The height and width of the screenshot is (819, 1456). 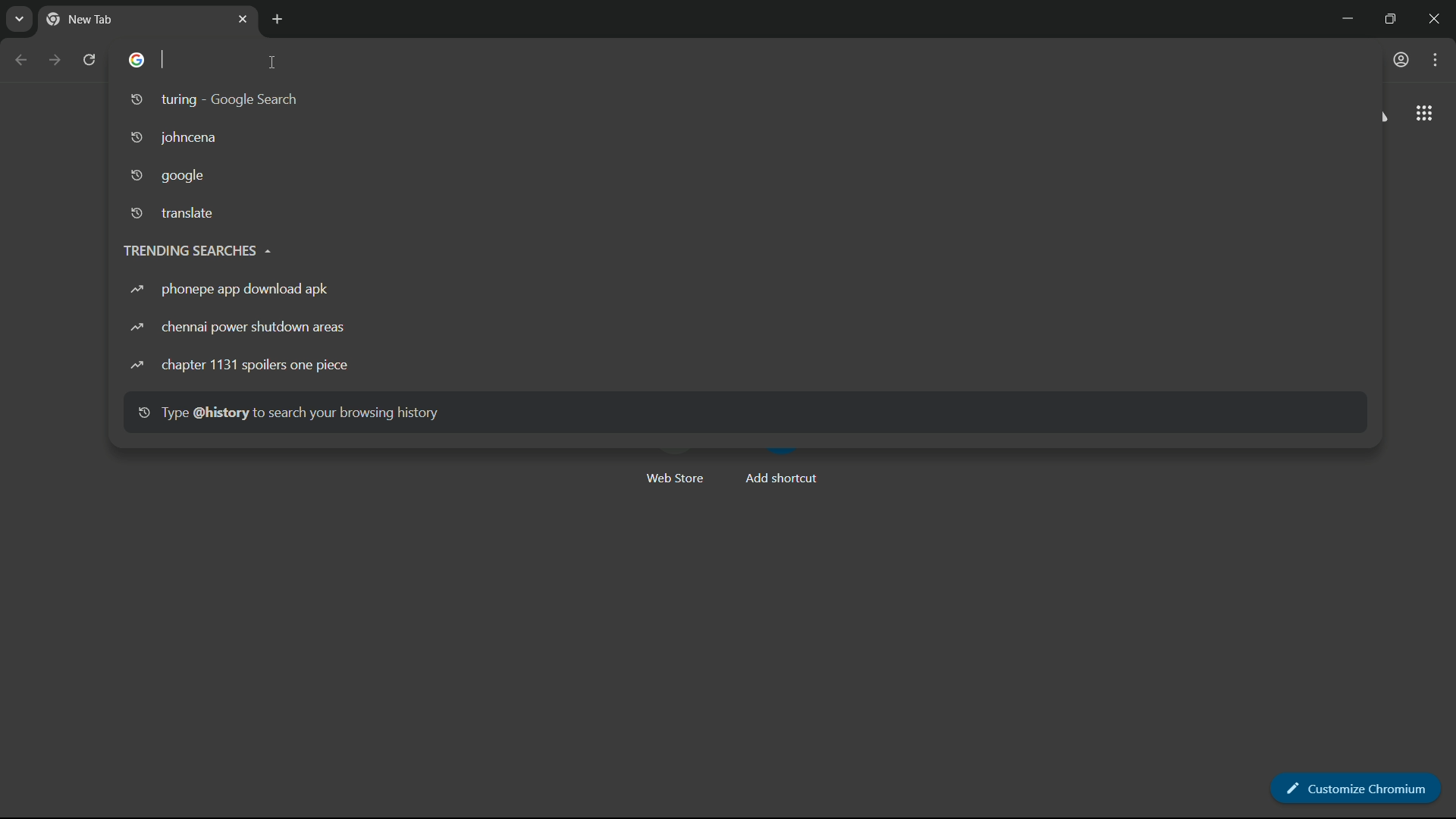 I want to click on cursor, so click(x=275, y=64).